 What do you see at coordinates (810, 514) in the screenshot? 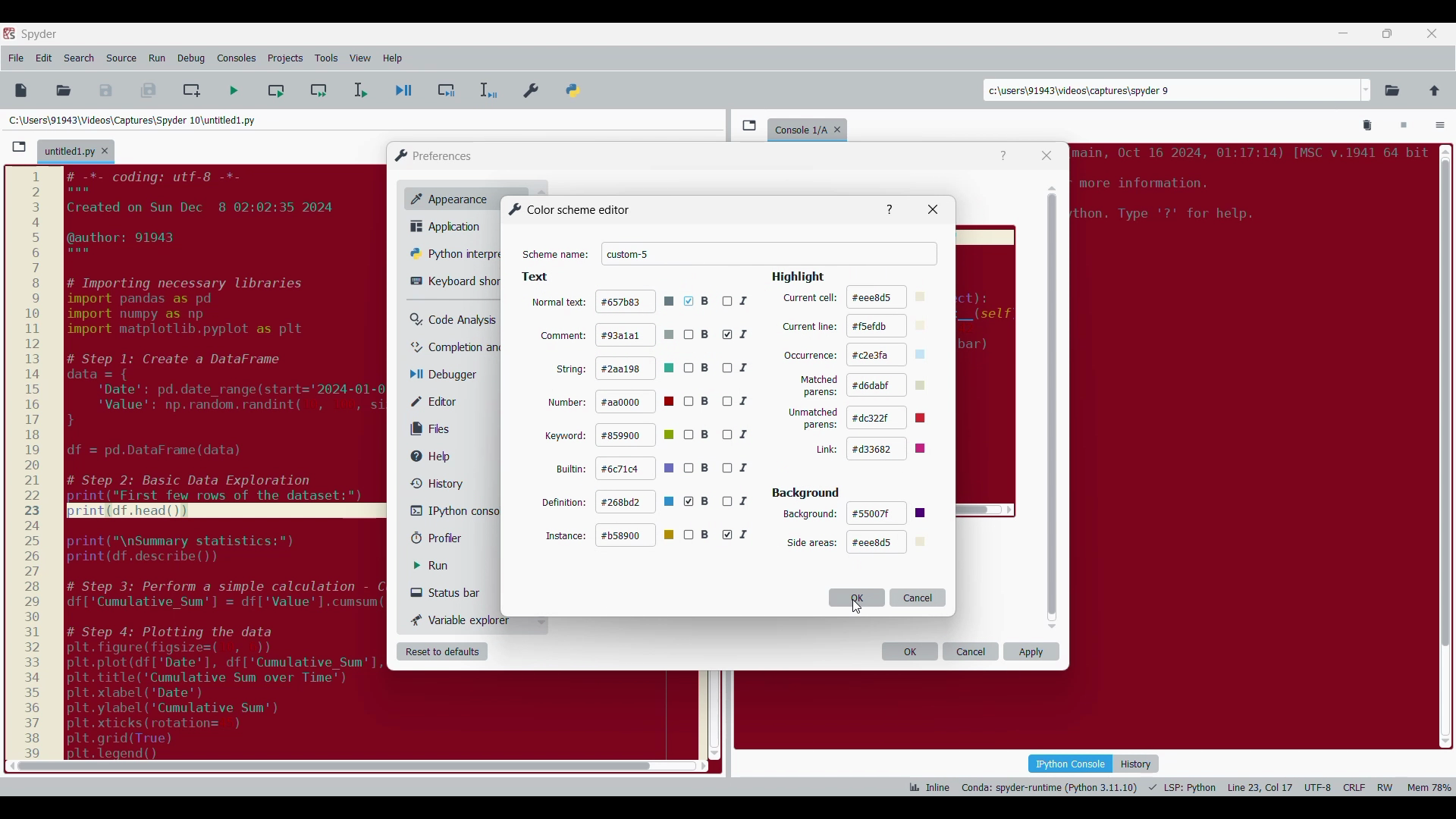
I see `background` at bounding box center [810, 514].